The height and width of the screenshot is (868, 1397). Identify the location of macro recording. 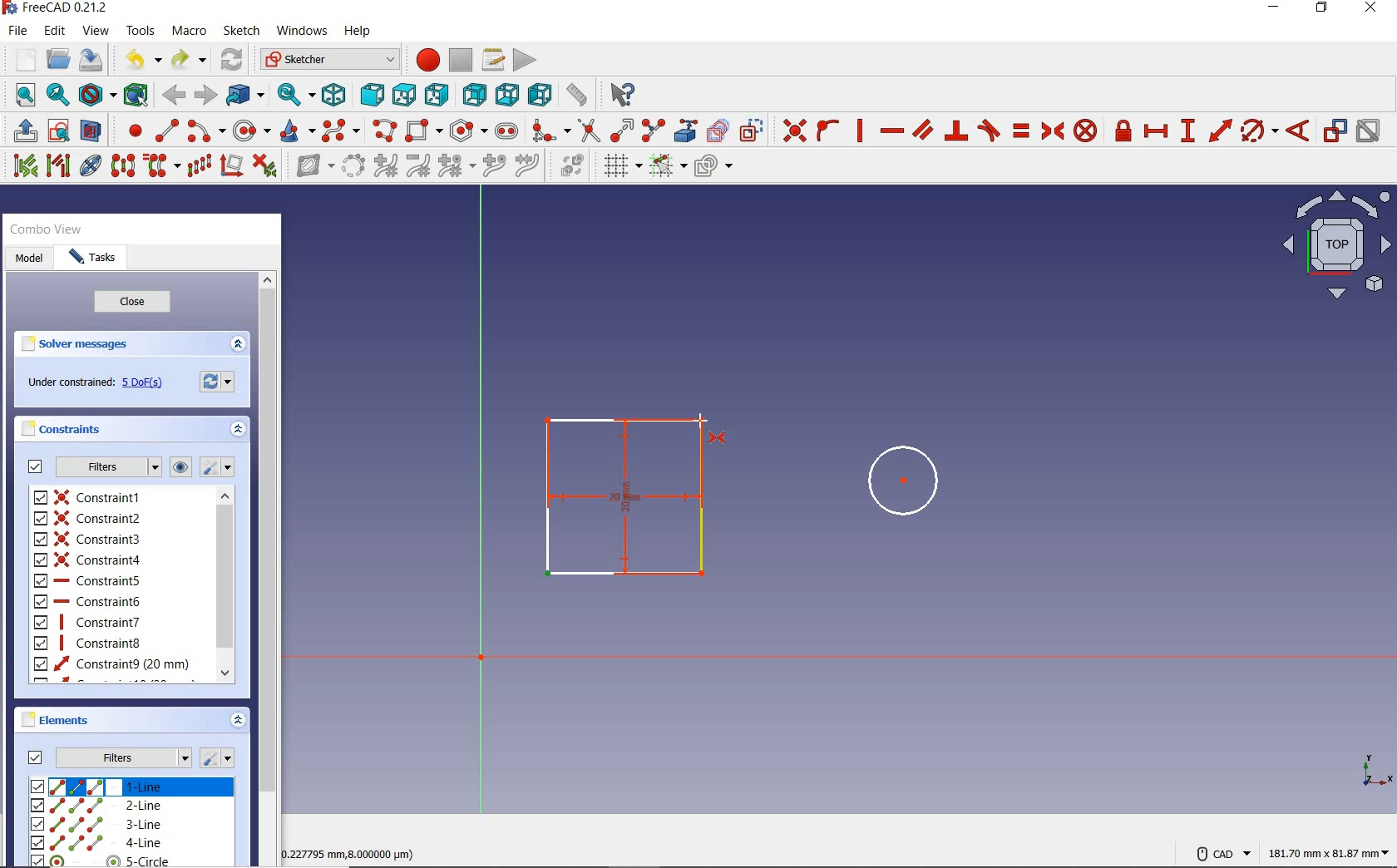
(426, 58).